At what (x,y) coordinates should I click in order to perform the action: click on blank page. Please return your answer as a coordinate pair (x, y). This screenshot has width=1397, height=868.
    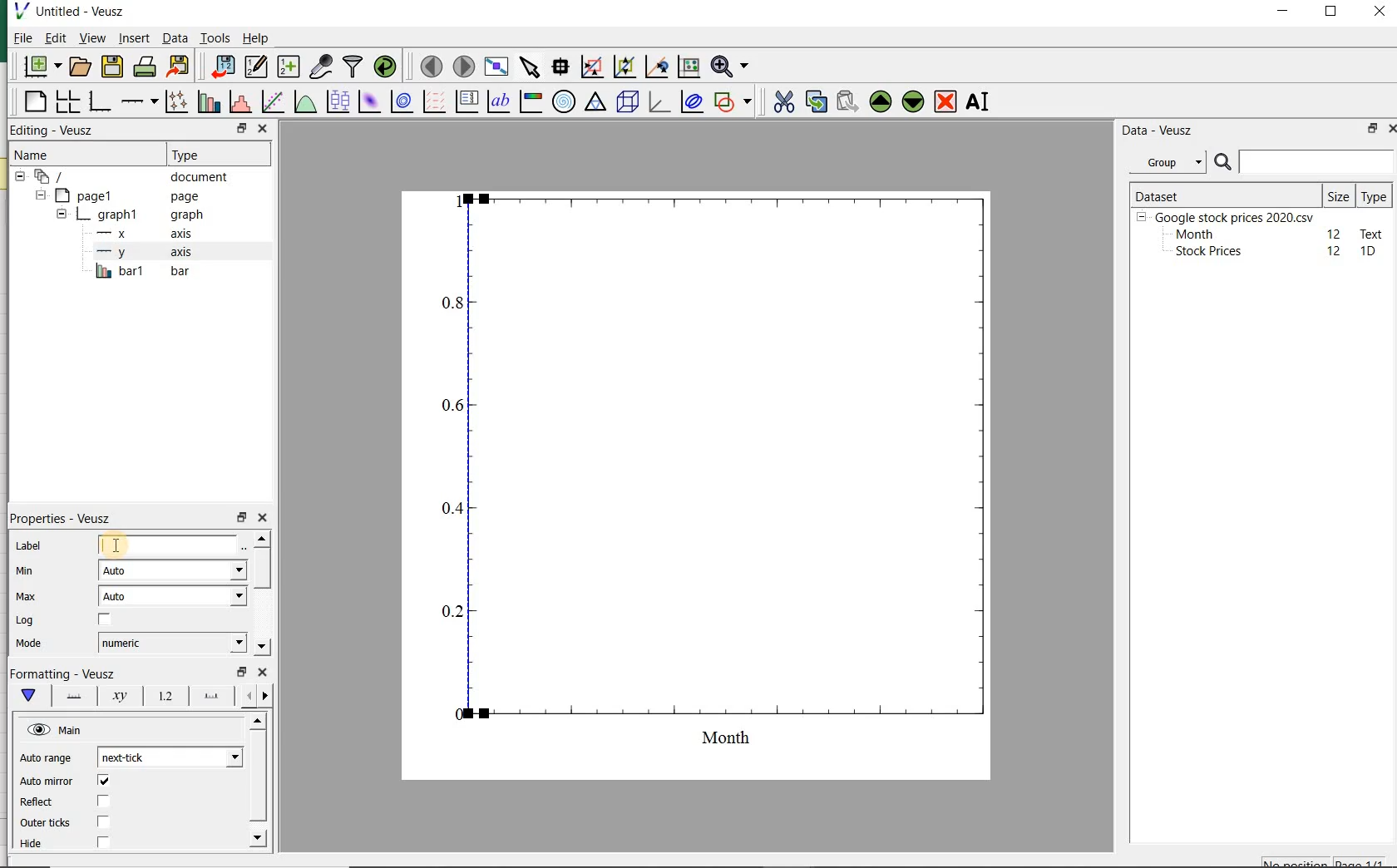
    Looking at the image, I should click on (34, 104).